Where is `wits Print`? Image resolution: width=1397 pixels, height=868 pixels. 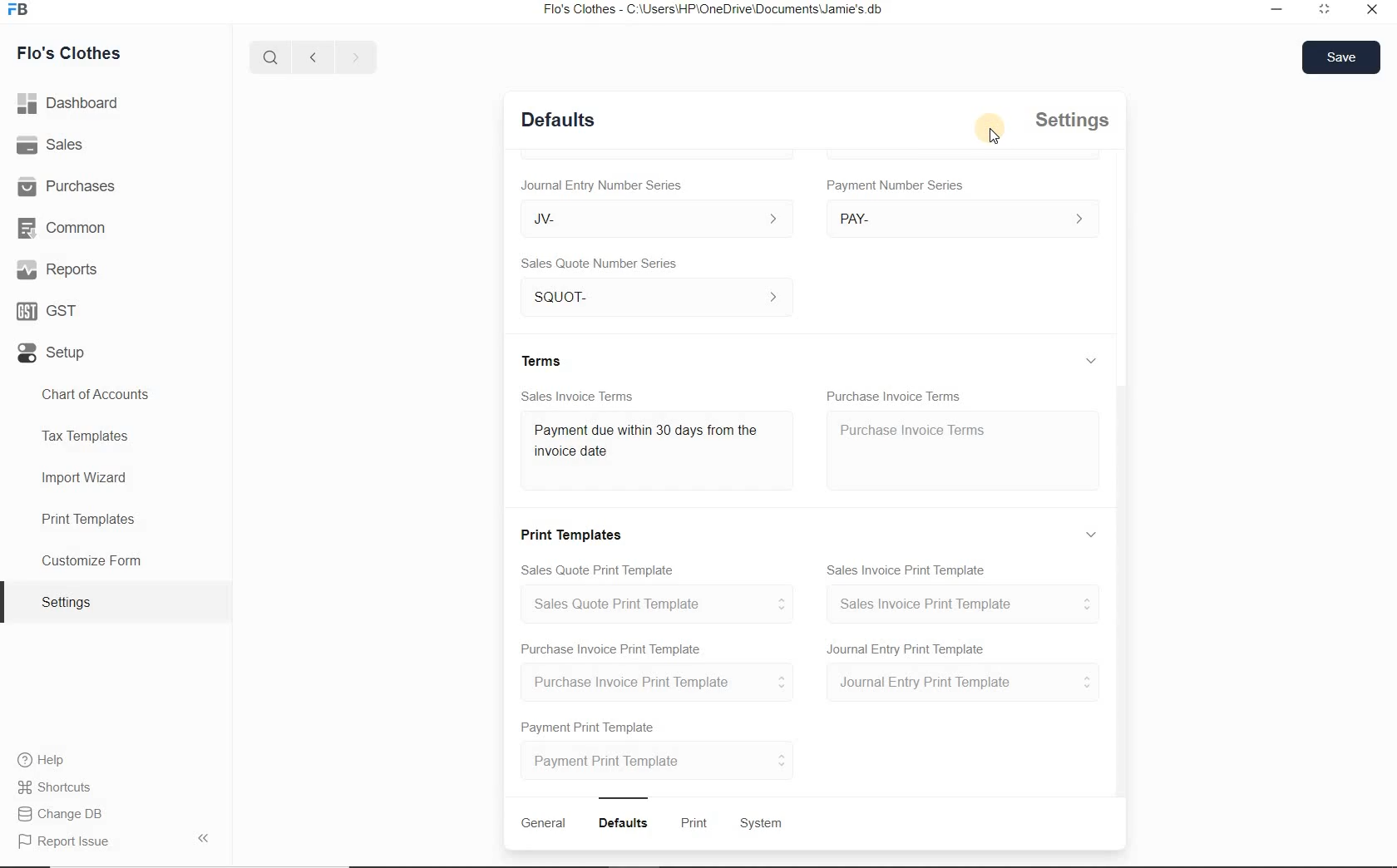 wits Print is located at coordinates (690, 822).